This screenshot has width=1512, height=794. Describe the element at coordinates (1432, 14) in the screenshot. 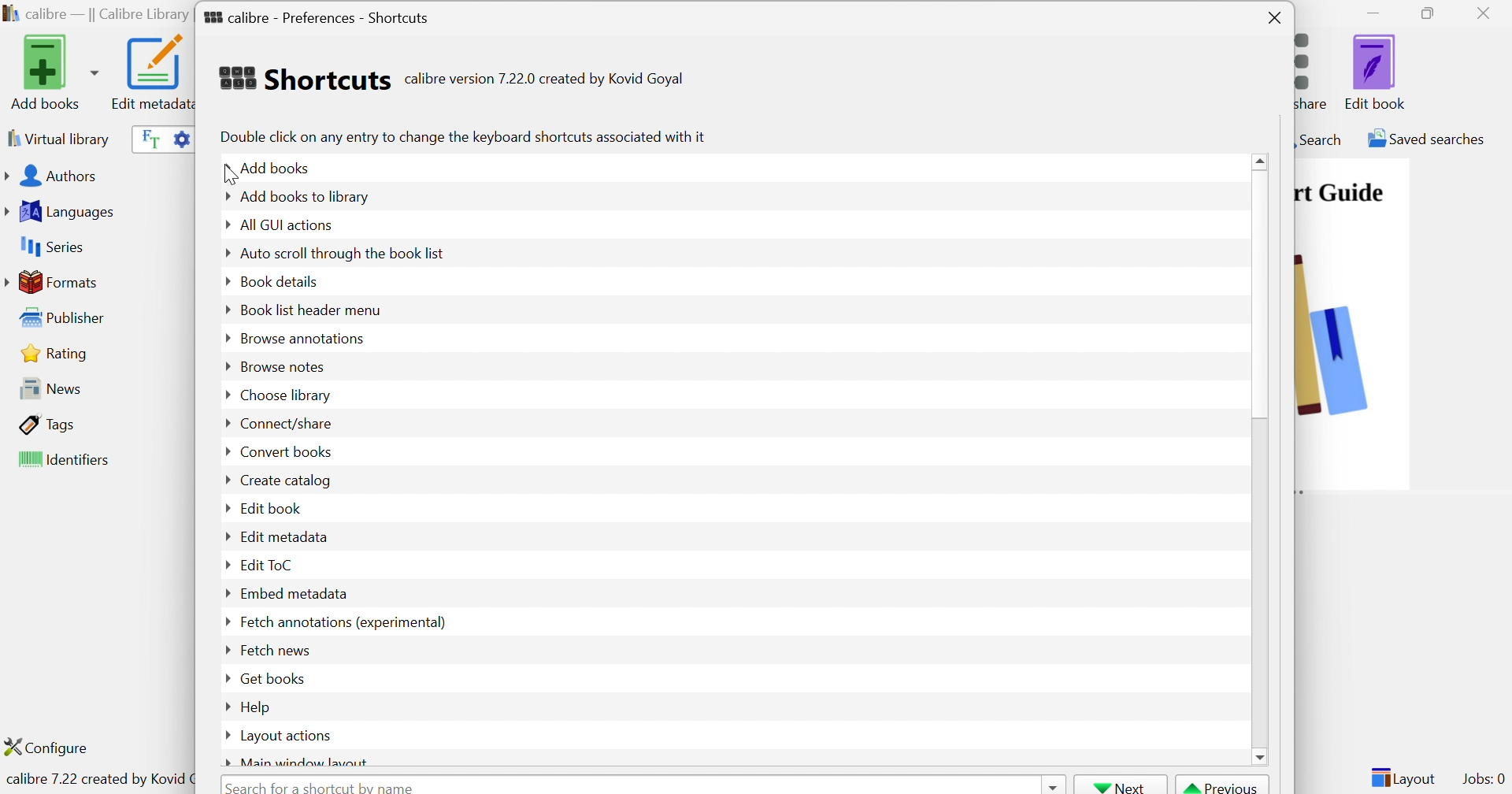

I see `Restore Down` at that location.